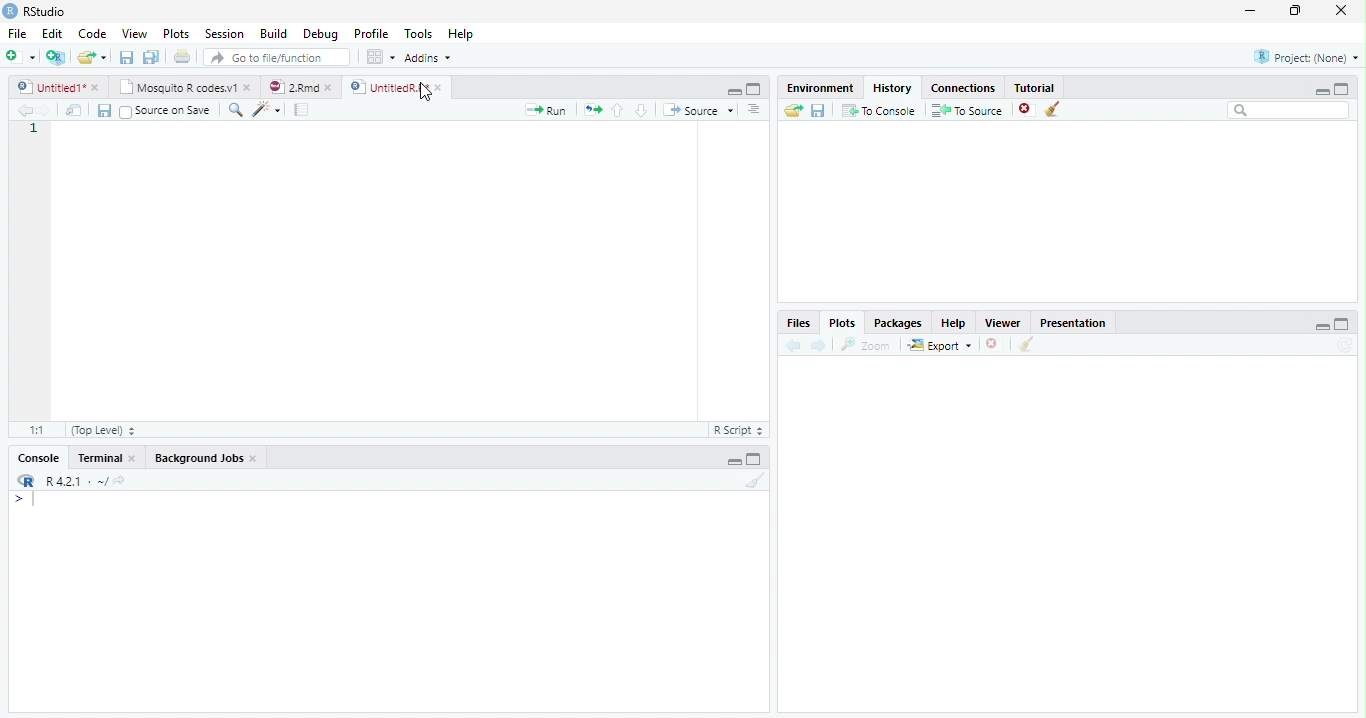  What do you see at coordinates (38, 460) in the screenshot?
I see `Console` at bounding box center [38, 460].